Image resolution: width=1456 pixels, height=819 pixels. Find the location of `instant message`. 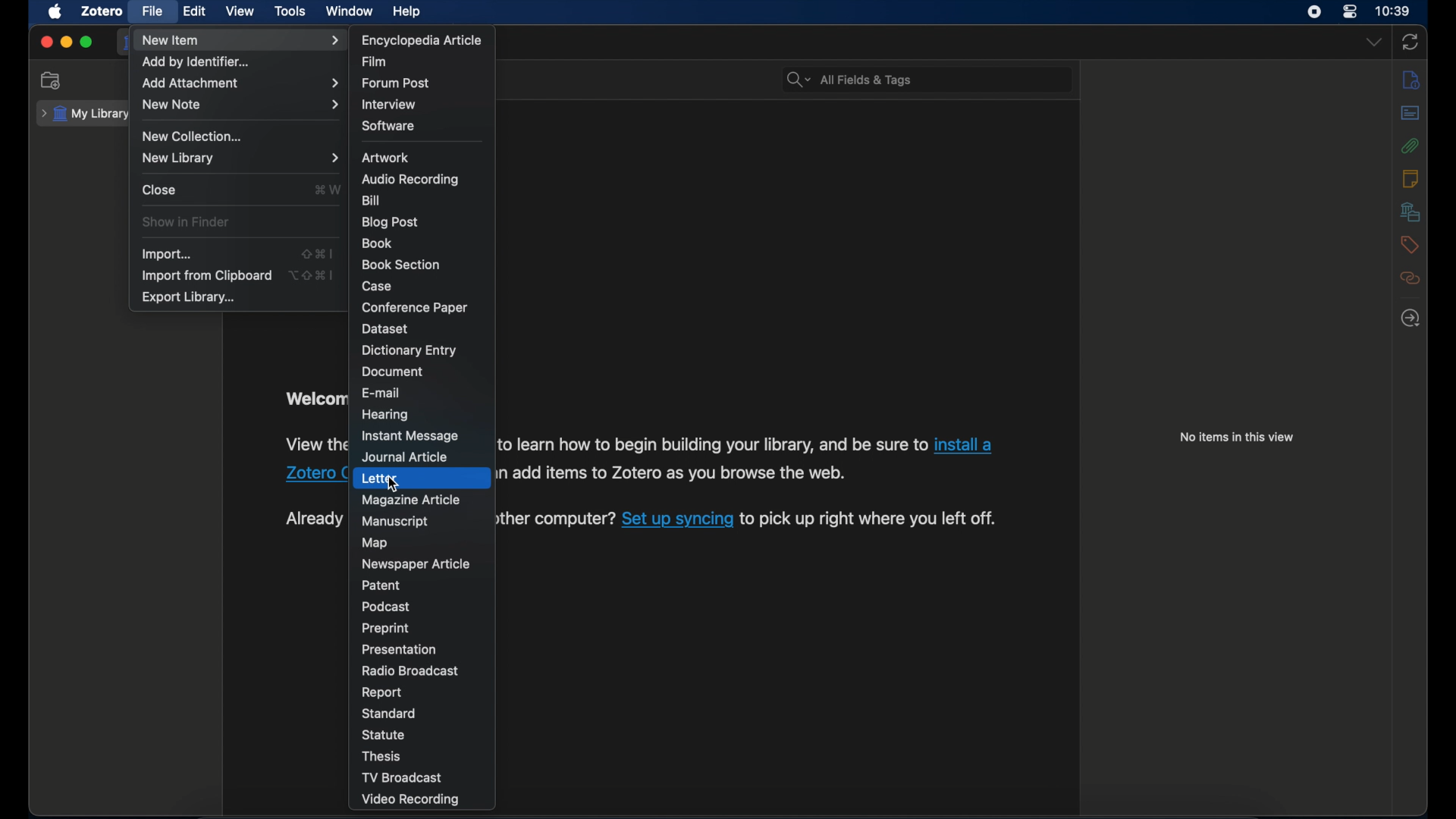

instant message is located at coordinates (413, 437).